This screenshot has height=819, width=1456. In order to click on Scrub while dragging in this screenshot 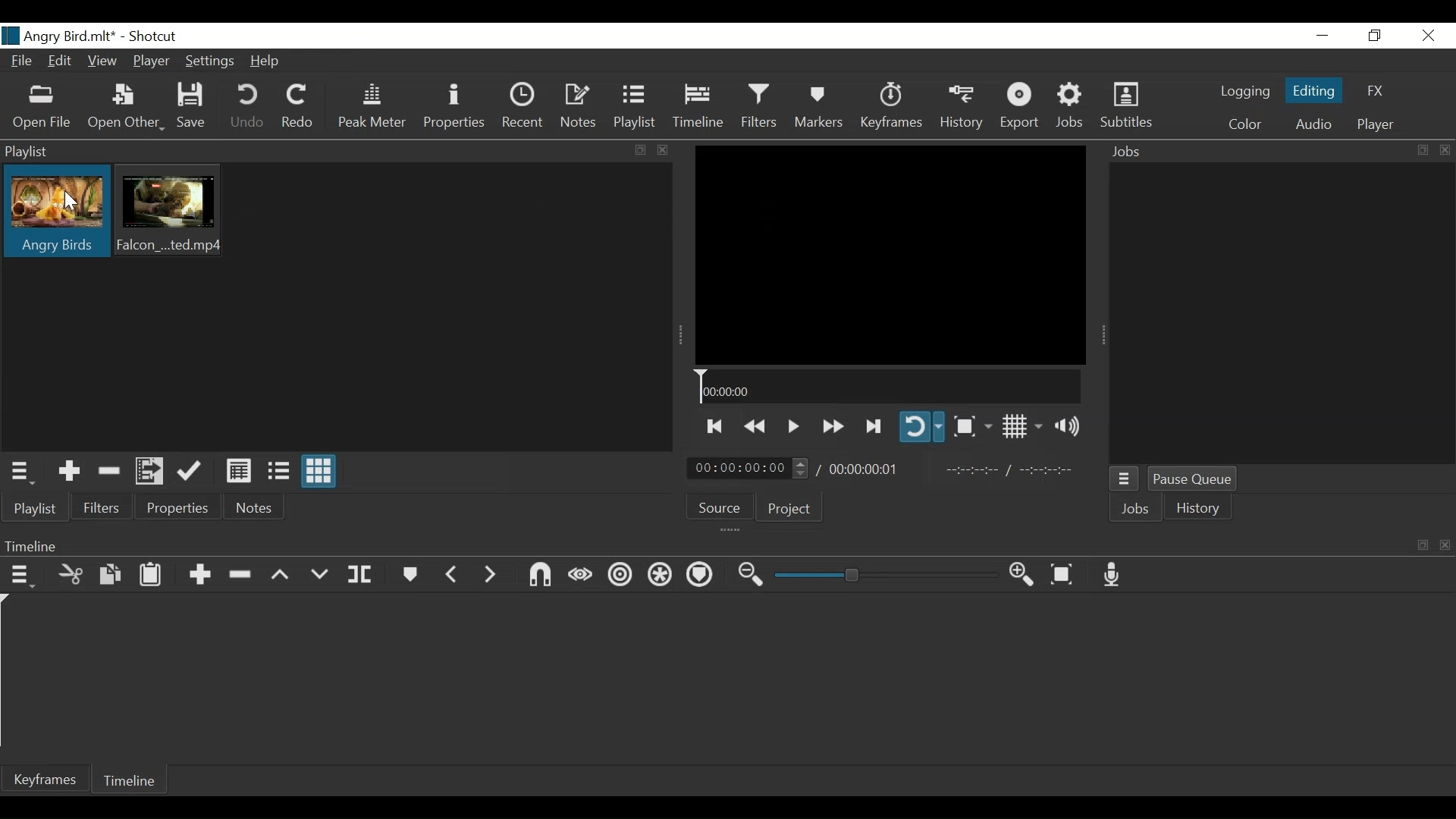, I will do `click(577, 574)`.